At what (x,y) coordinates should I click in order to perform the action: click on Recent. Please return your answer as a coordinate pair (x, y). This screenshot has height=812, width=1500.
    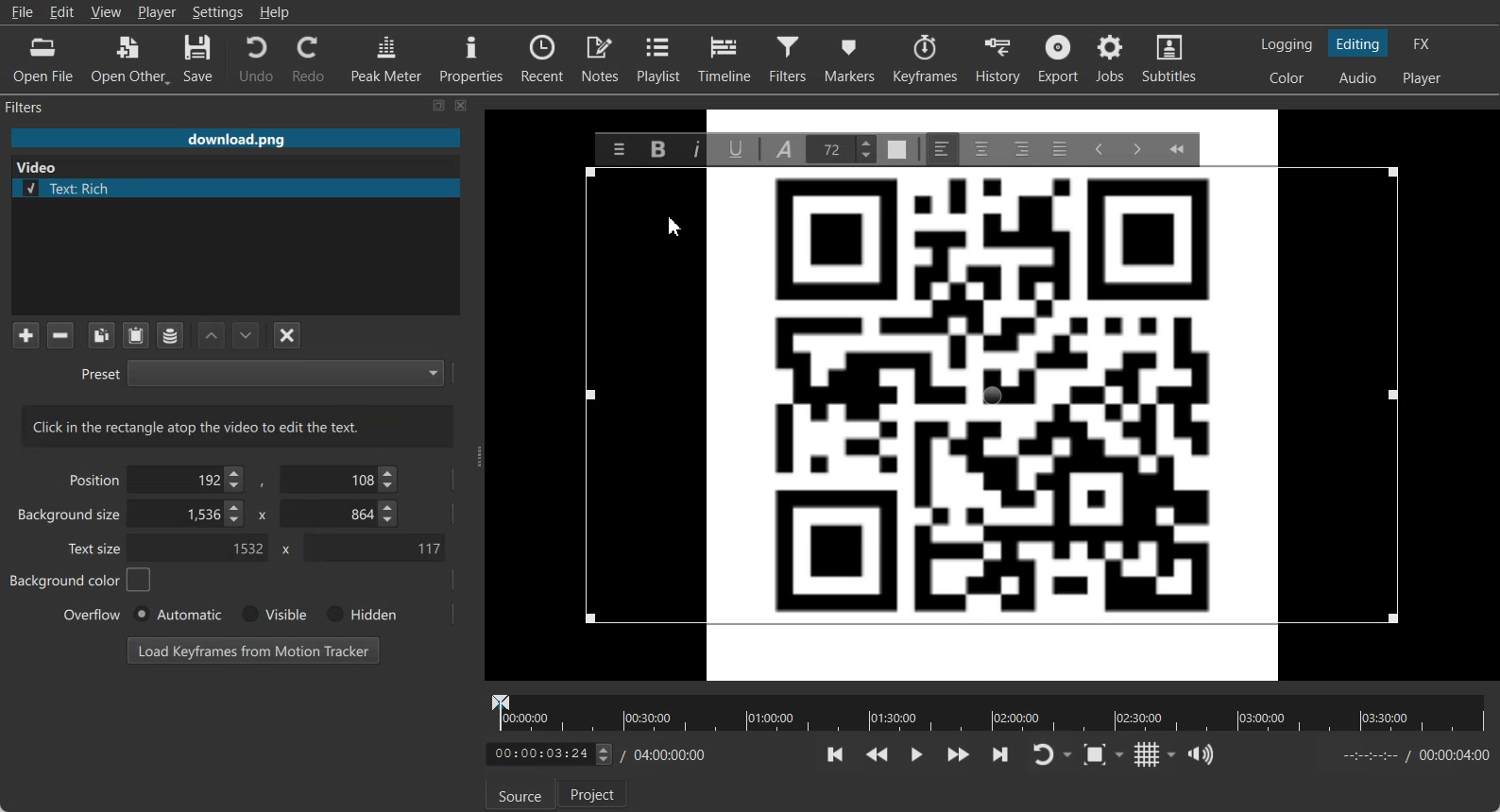
    Looking at the image, I should click on (542, 57).